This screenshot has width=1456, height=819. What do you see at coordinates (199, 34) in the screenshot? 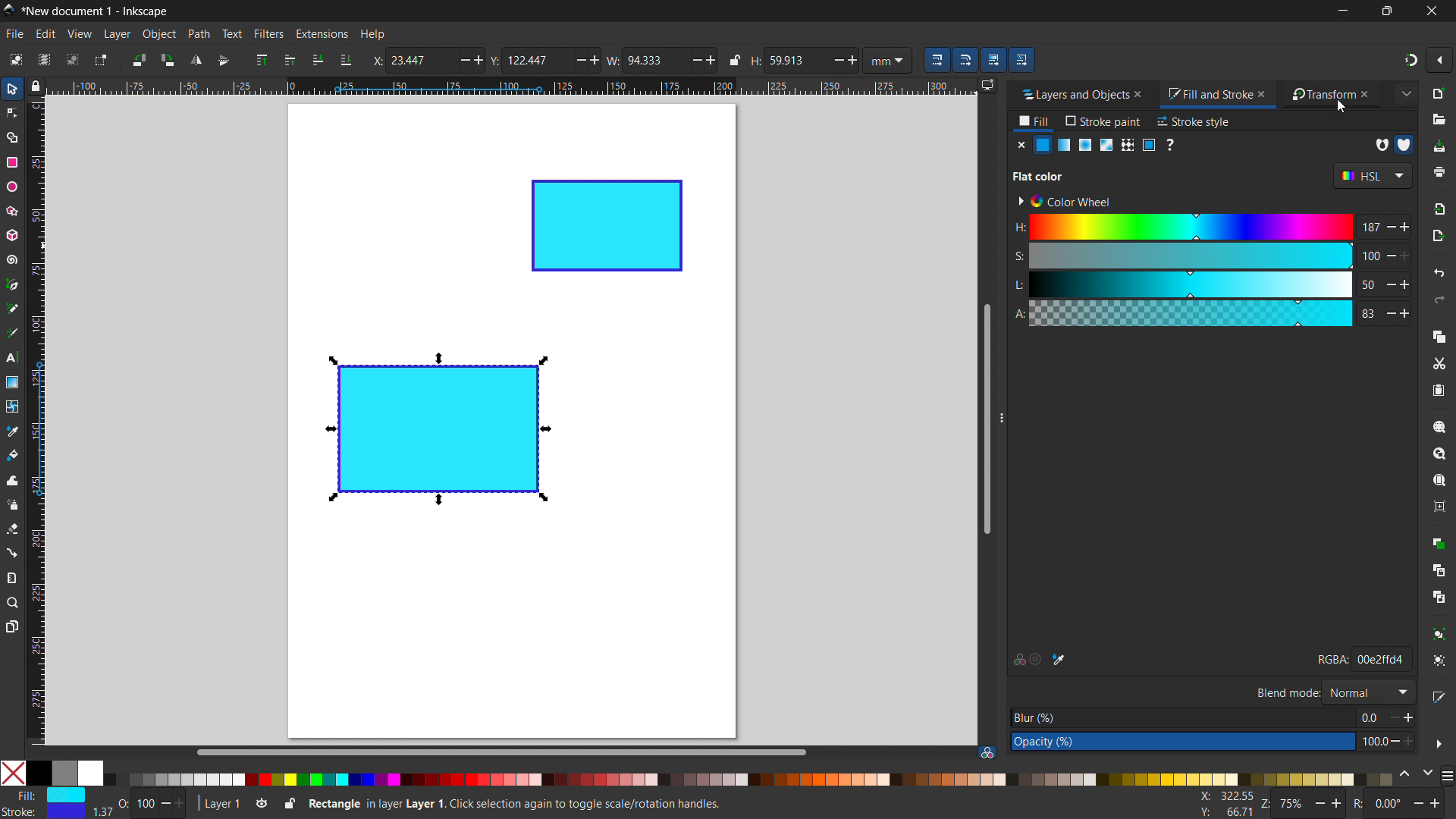
I see `path` at bounding box center [199, 34].